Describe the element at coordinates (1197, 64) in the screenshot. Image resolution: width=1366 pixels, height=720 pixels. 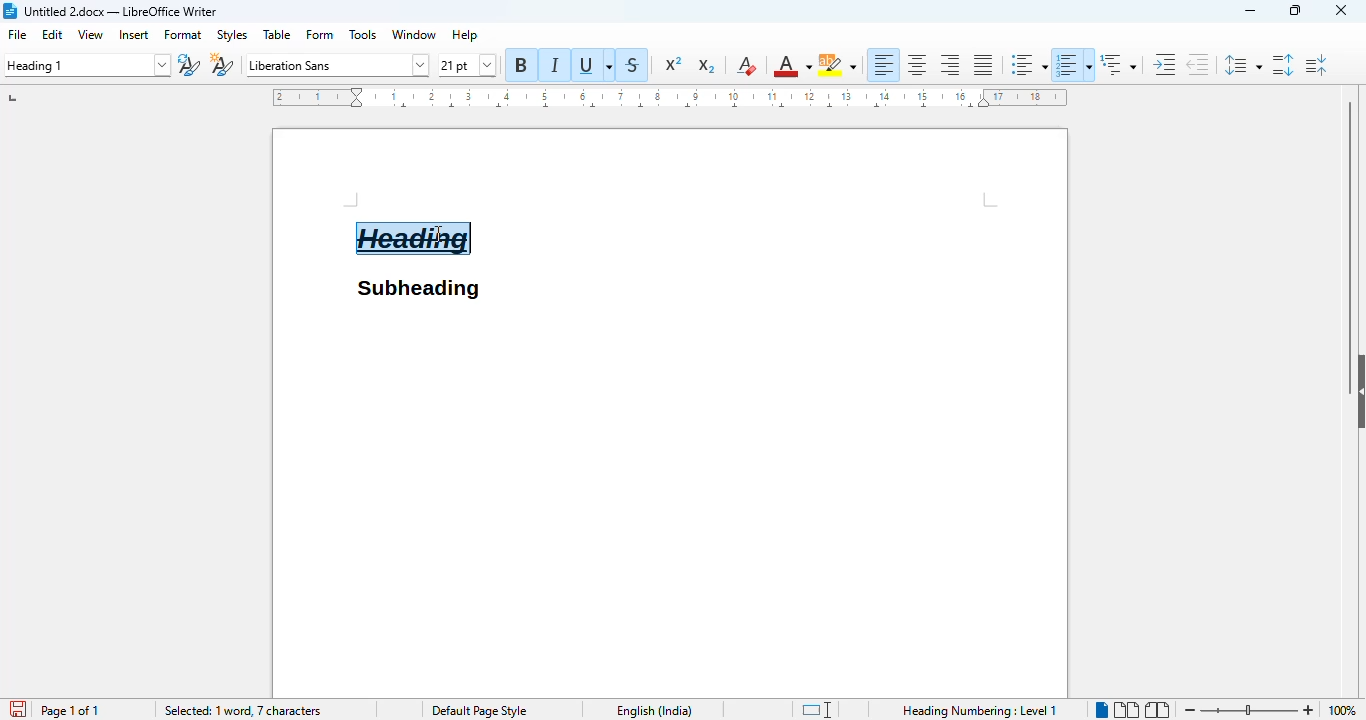
I see `decrease indent` at that location.